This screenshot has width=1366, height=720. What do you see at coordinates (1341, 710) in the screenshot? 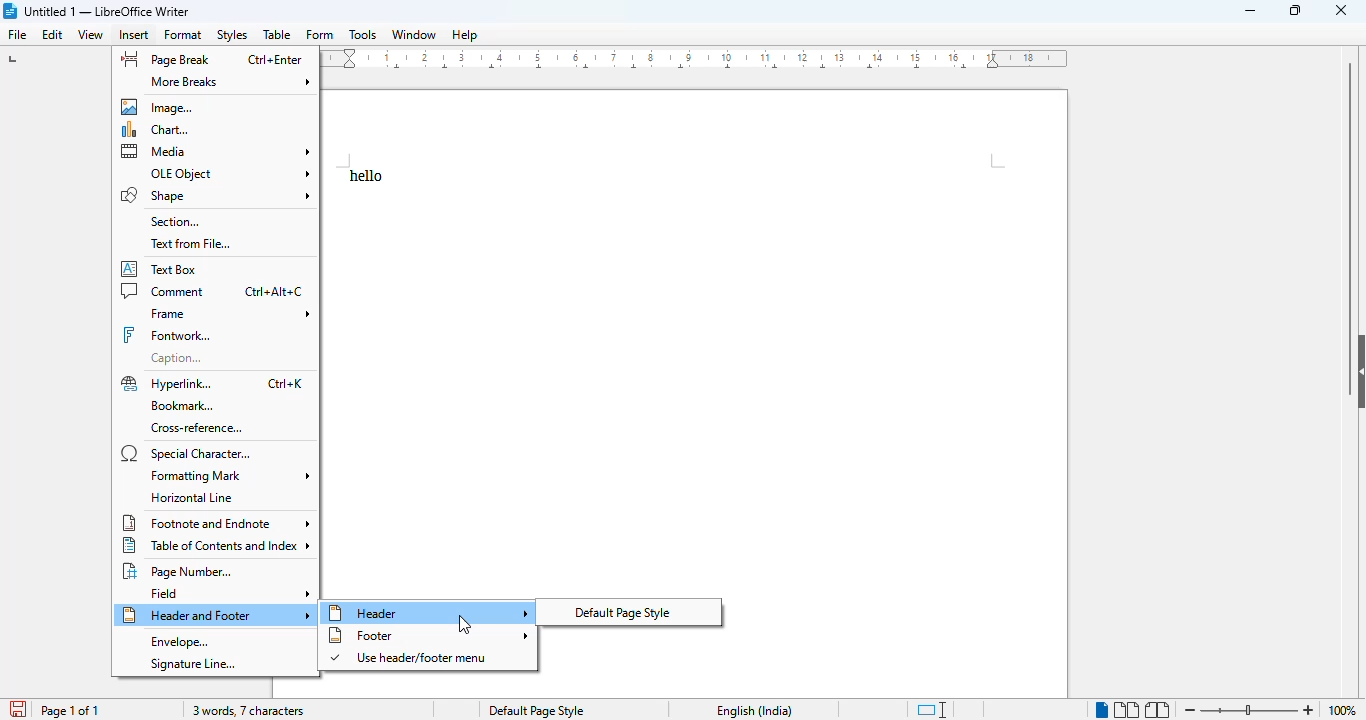
I see `100%` at bounding box center [1341, 710].